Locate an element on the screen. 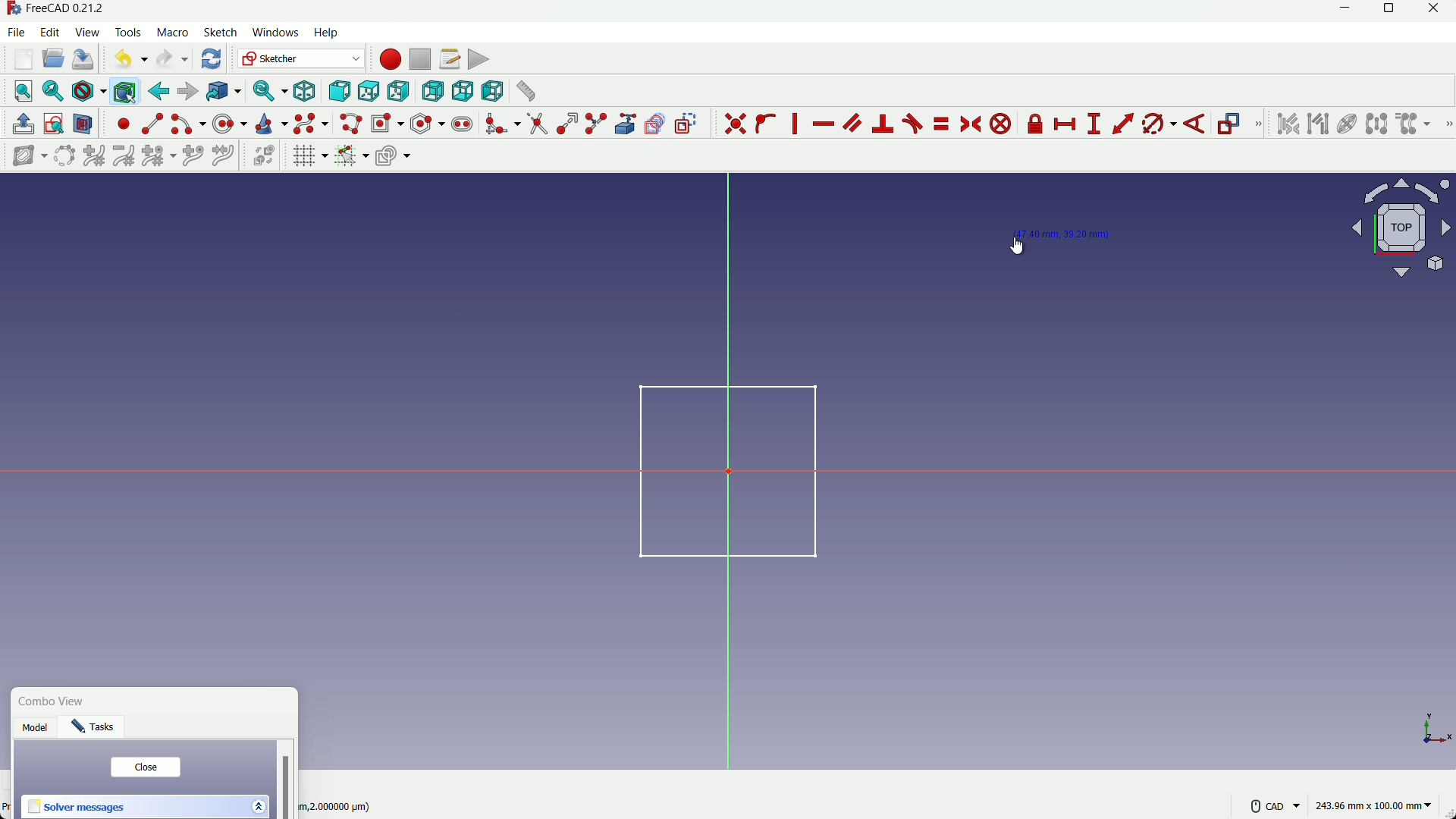 Image resolution: width=1456 pixels, height=819 pixels. select fit is located at coordinates (52, 91).